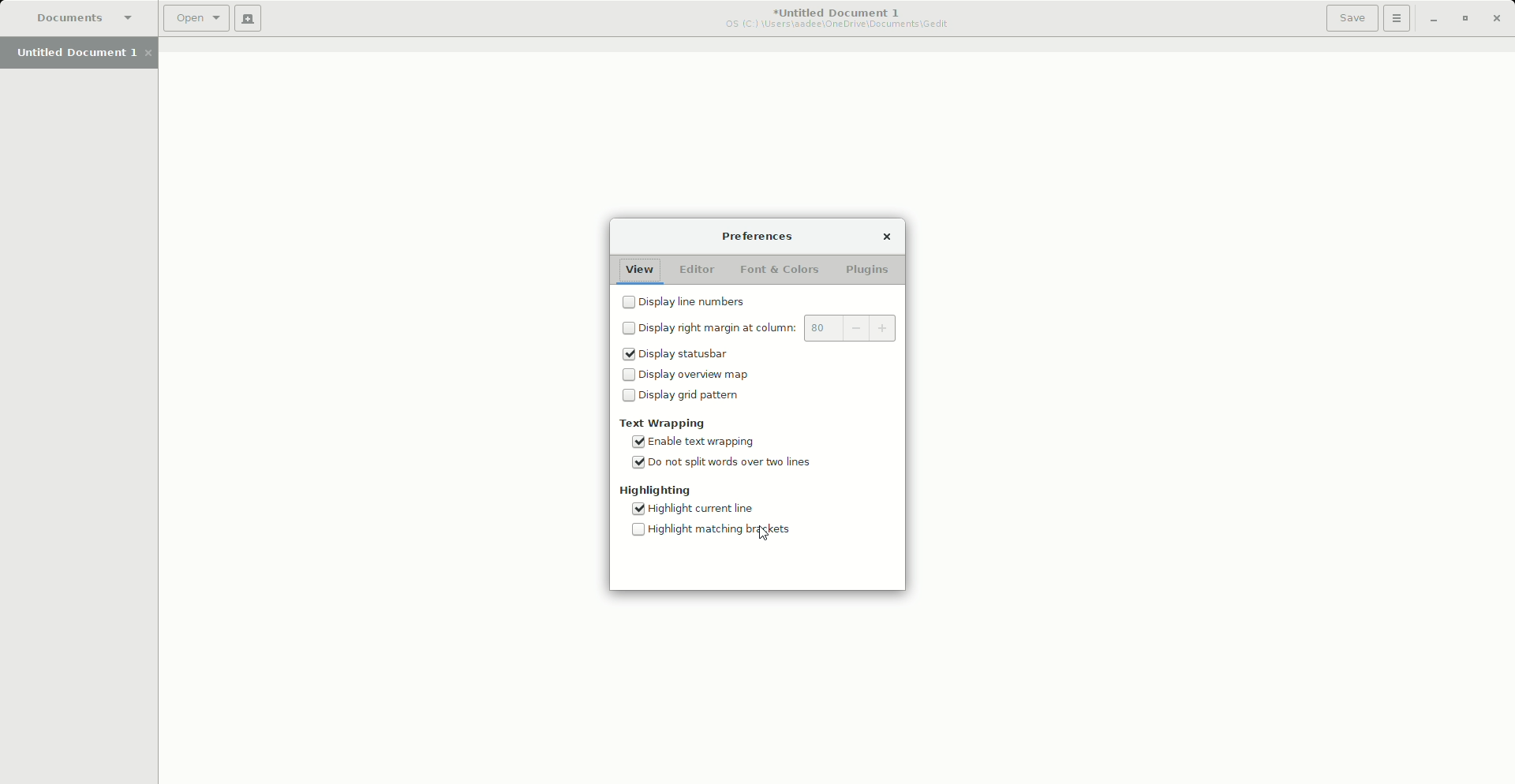 The height and width of the screenshot is (784, 1515). What do you see at coordinates (829, 17) in the screenshot?
I see `Untitled Document` at bounding box center [829, 17].